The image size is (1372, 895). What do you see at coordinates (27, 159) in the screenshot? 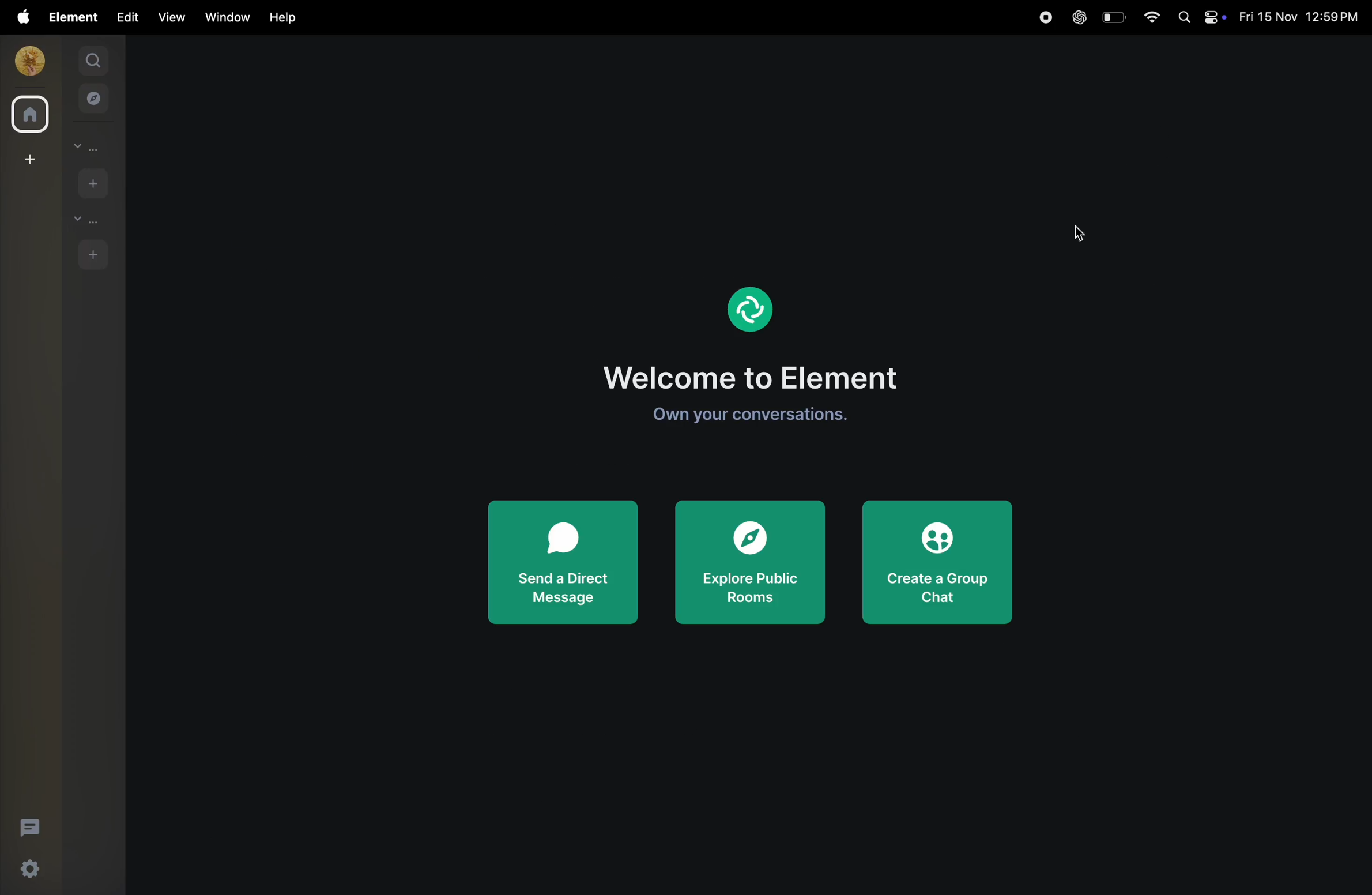
I see `add` at bounding box center [27, 159].